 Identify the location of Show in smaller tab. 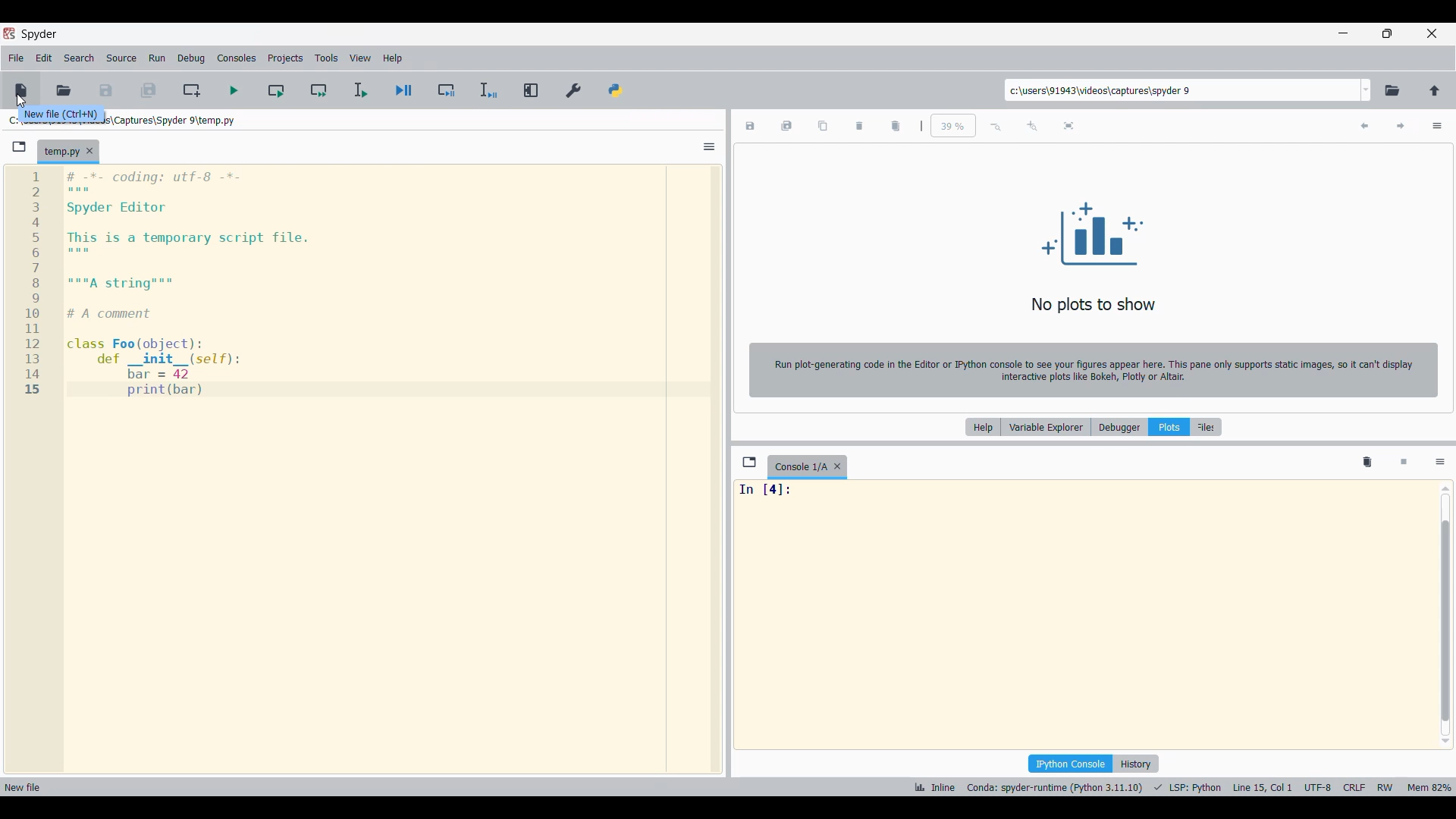
(1388, 34).